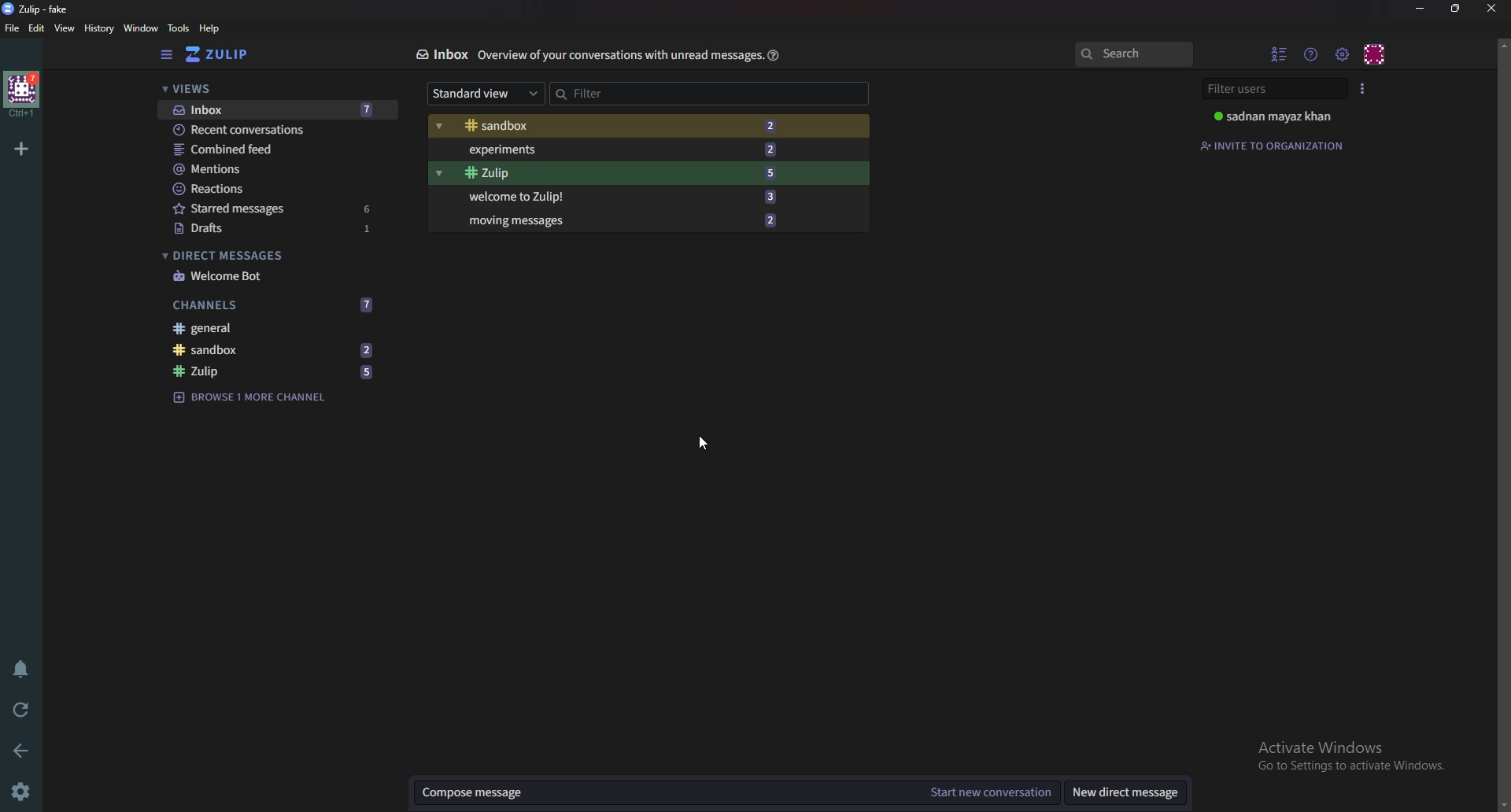 This screenshot has width=1511, height=812. I want to click on #Zulip 5, so click(620, 173).